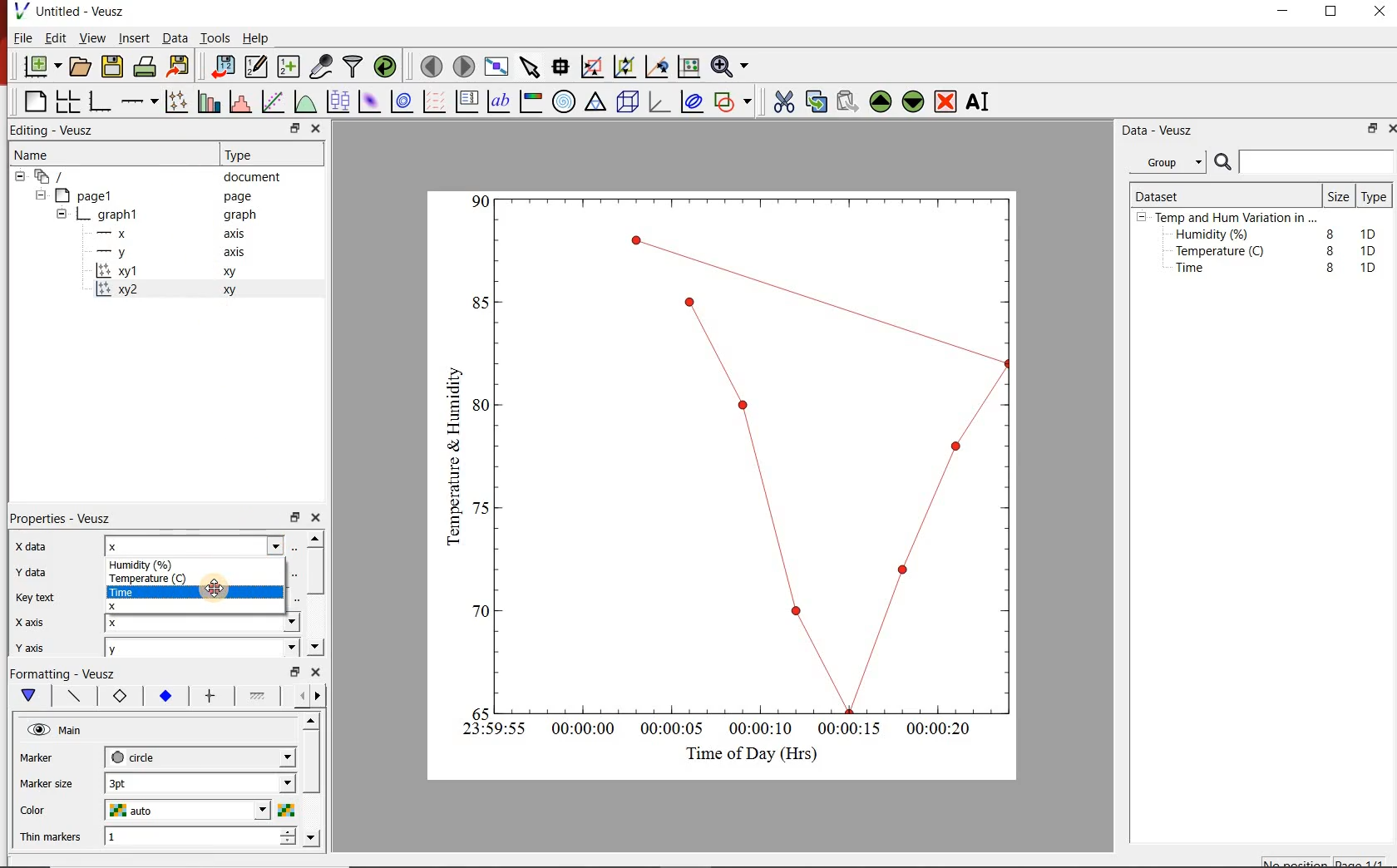 This screenshot has width=1397, height=868. I want to click on polar graph, so click(565, 103).